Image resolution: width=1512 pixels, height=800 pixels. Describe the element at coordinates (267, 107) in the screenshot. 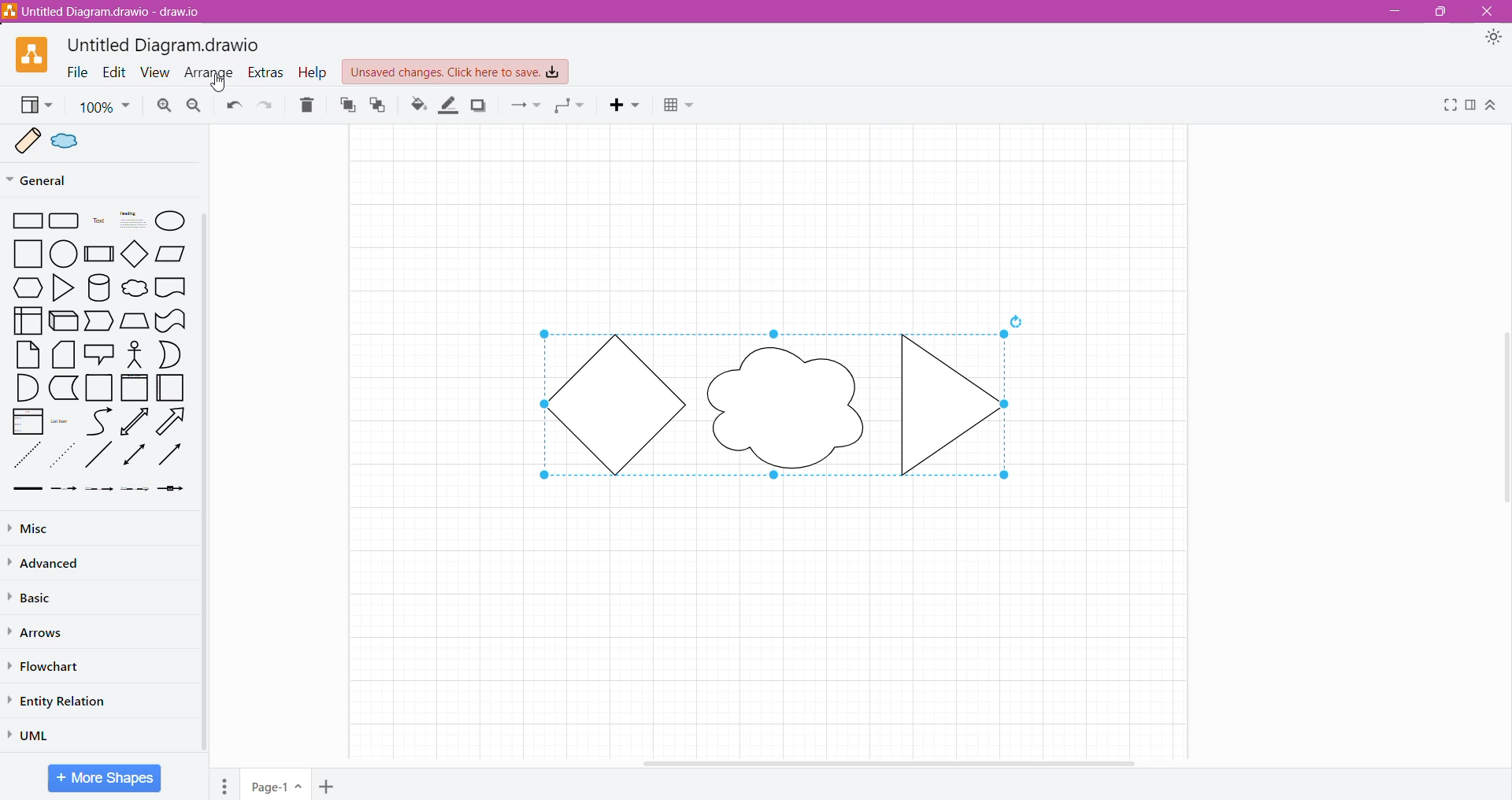

I see `Redo` at that location.